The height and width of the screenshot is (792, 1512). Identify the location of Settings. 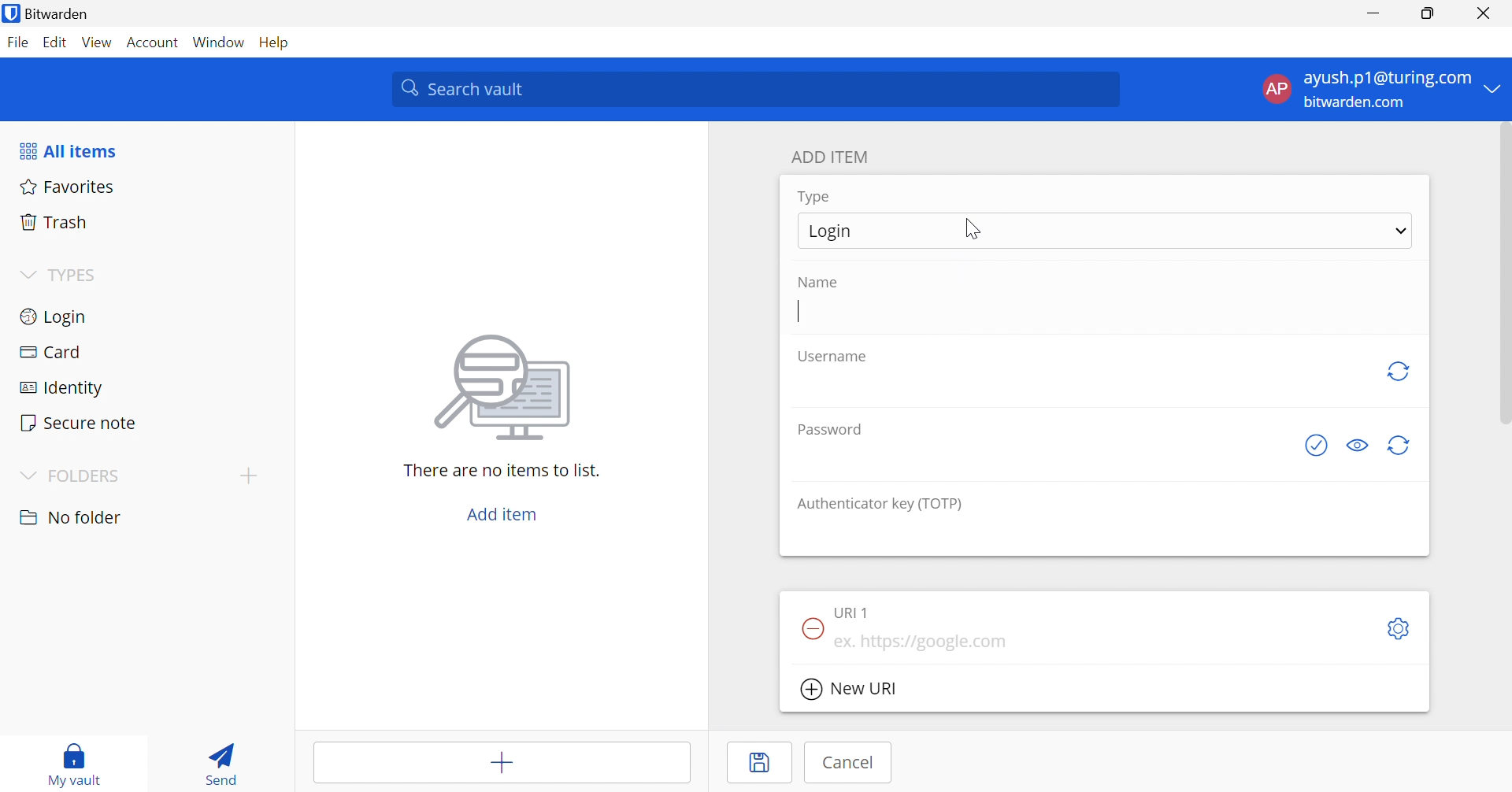
(1398, 628).